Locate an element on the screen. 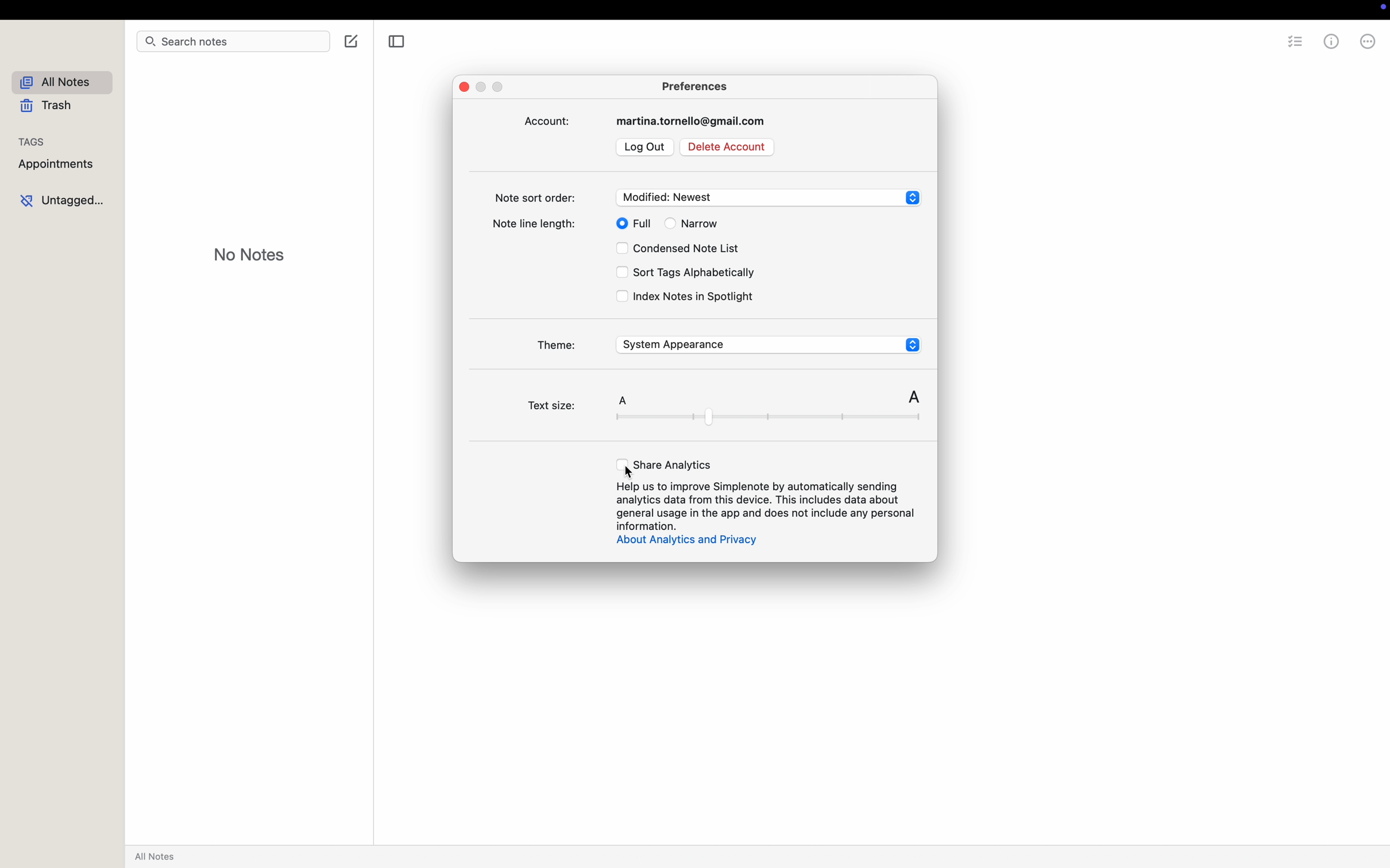  condensed note list is located at coordinates (682, 248).